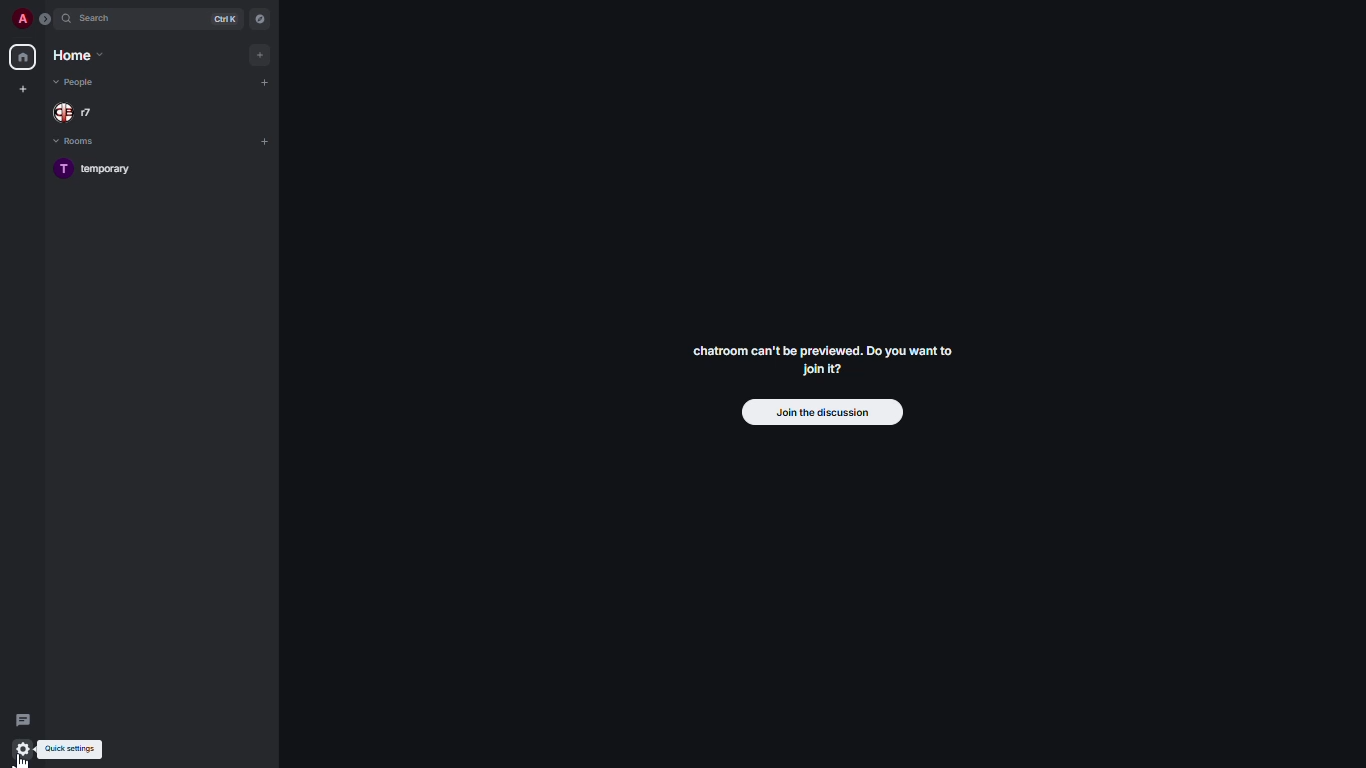 The image size is (1366, 768). Describe the element at coordinates (26, 759) in the screenshot. I see `cursor` at that location.